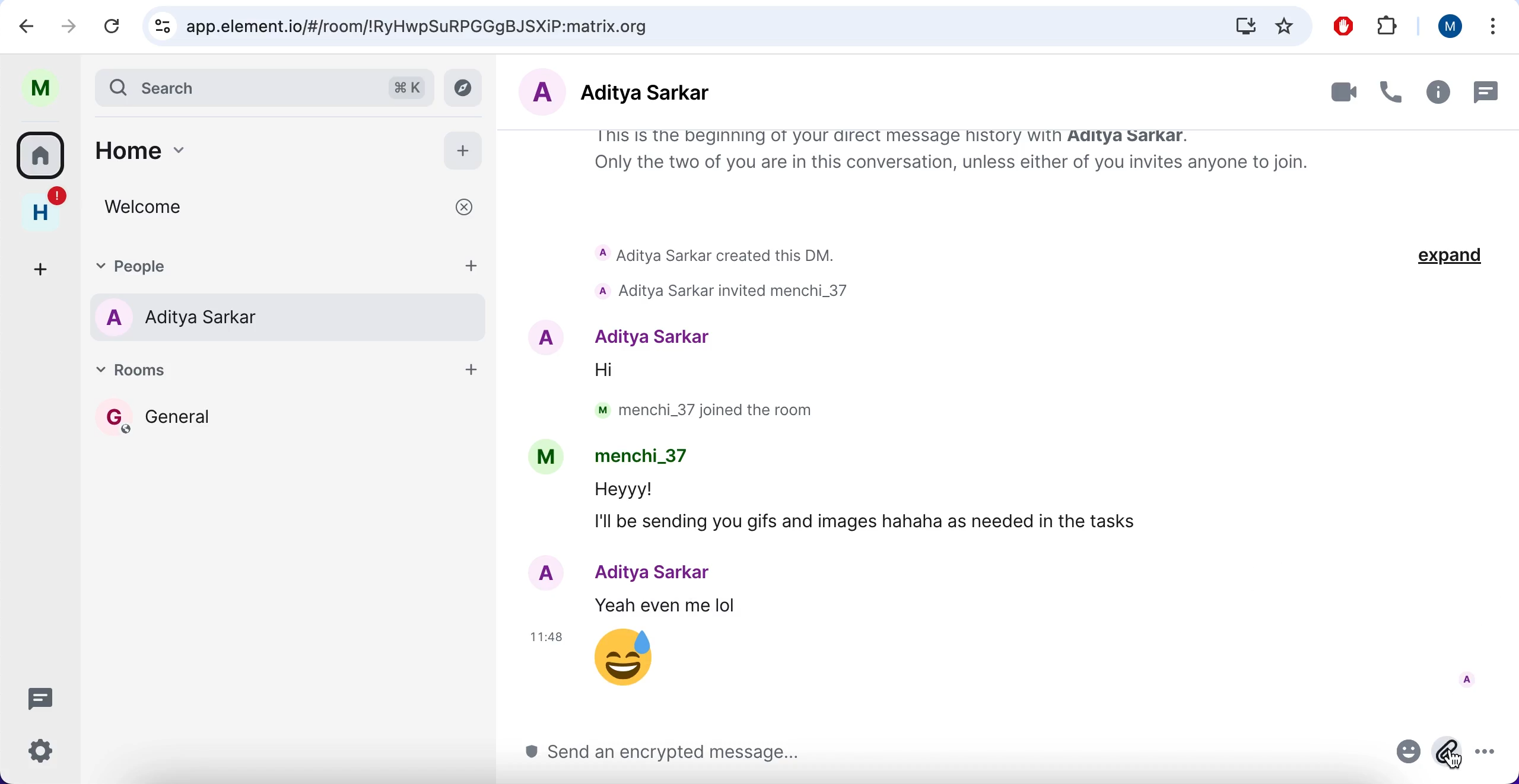 This screenshot has height=784, width=1519. Describe the element at coordinates (44, 263) in the screenshot. I see `add` at that location.